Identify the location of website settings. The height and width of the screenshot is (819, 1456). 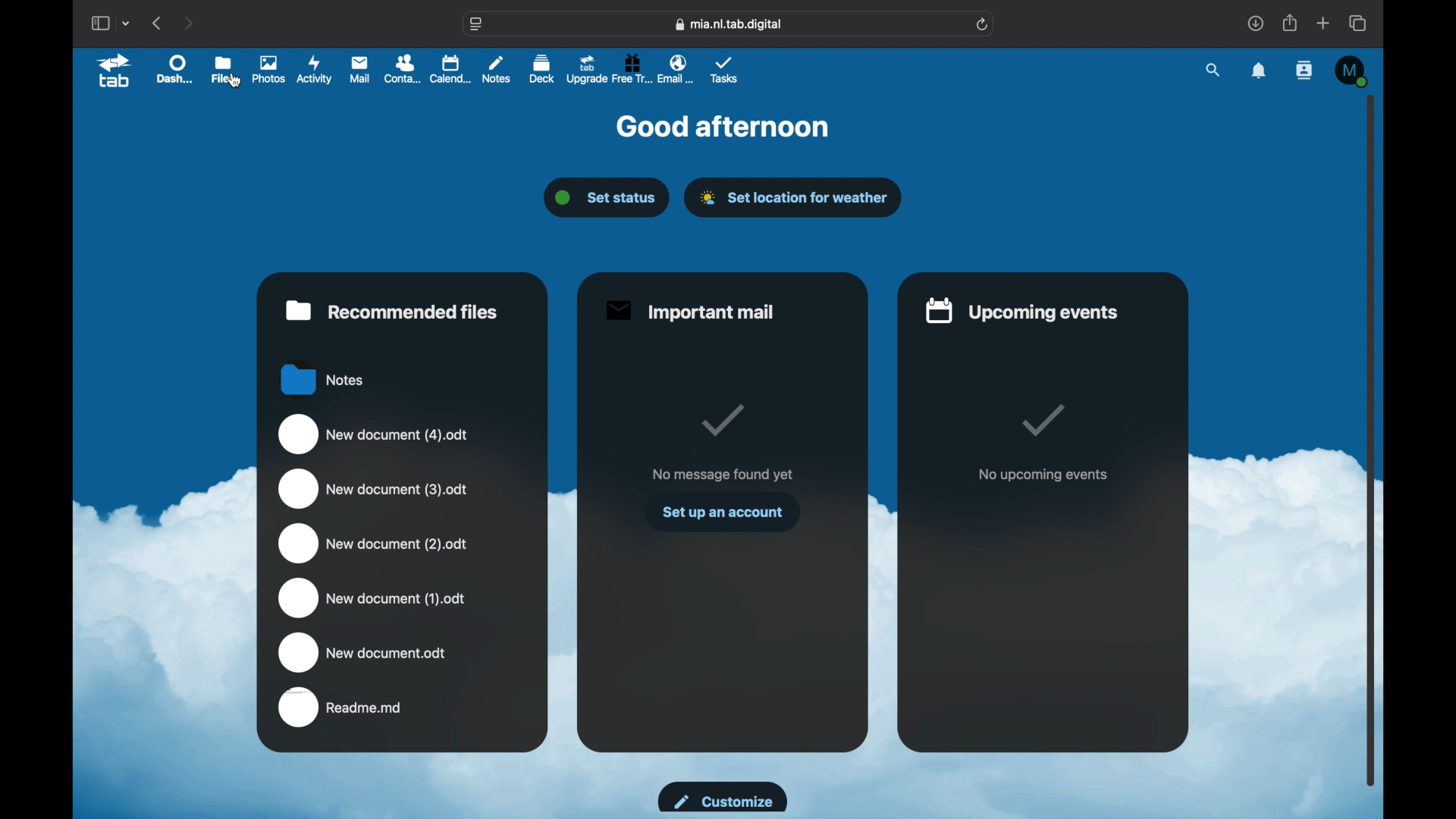
(477, 23).